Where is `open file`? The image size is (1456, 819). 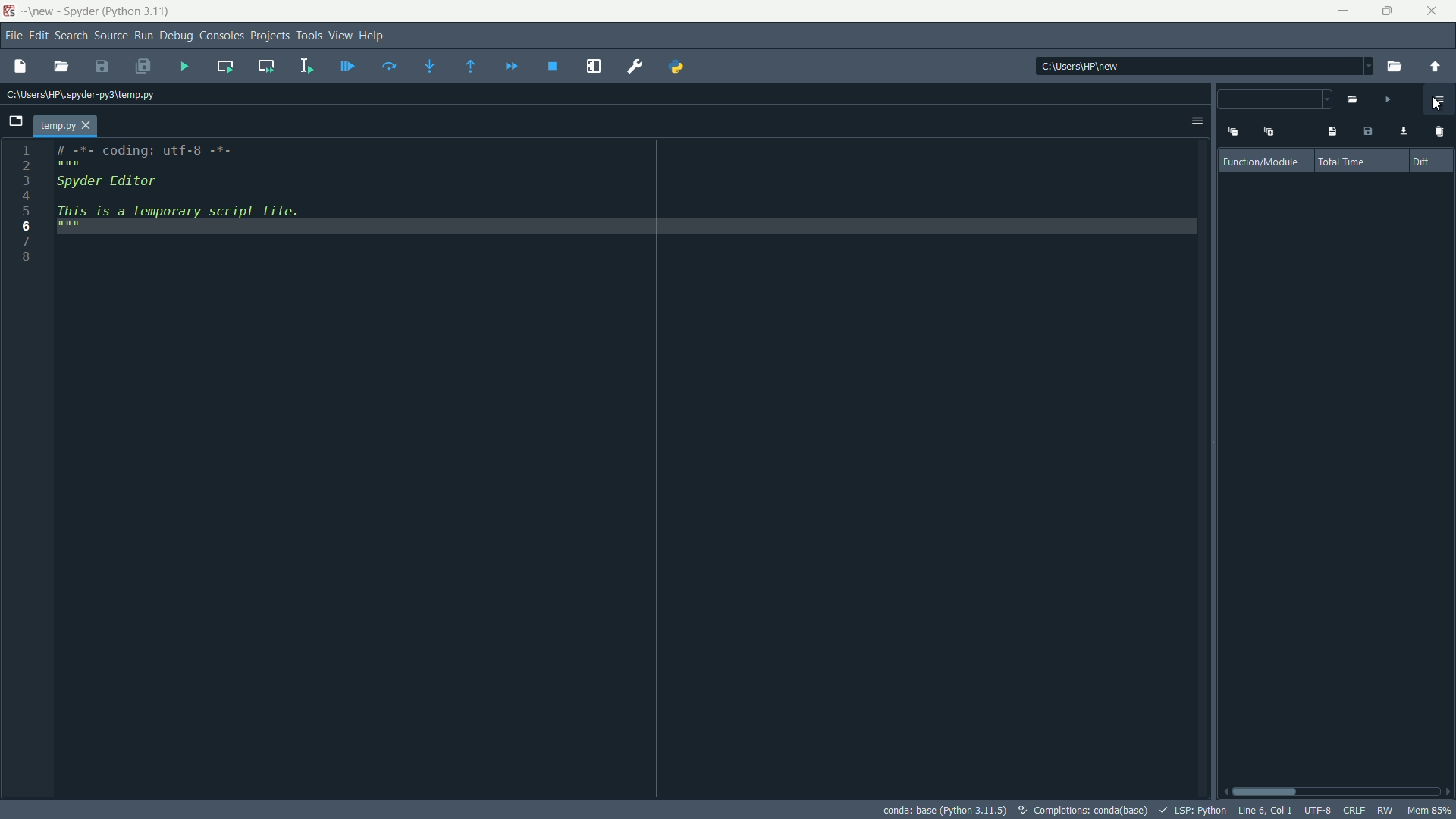 open file is located at coordinates (1353, 100).